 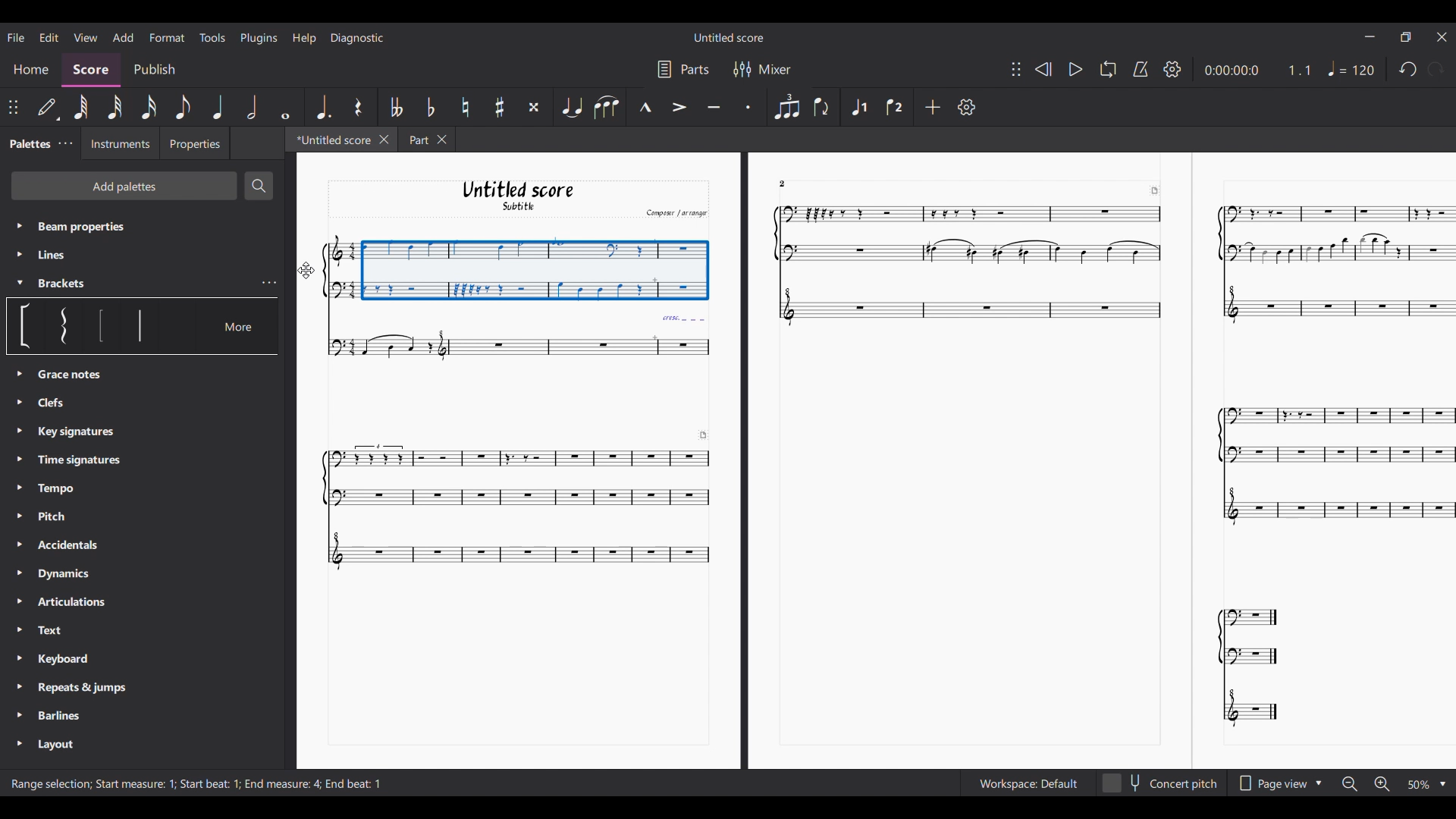 What do you see at coordinates (966, 107) in the screenshot?
I see `Settings` at bounding box center [966, 107].